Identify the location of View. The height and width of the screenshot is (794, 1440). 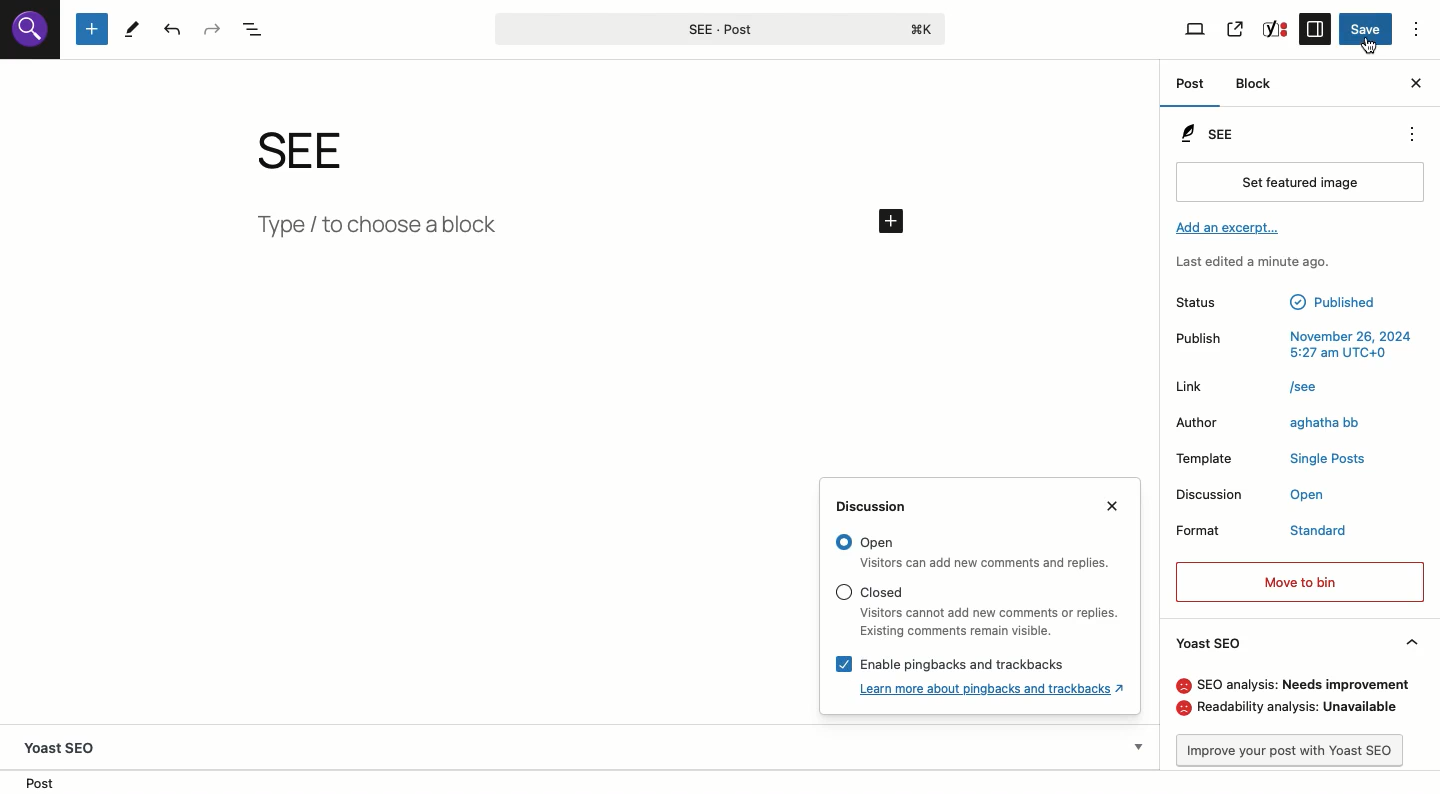
(1196, 30).